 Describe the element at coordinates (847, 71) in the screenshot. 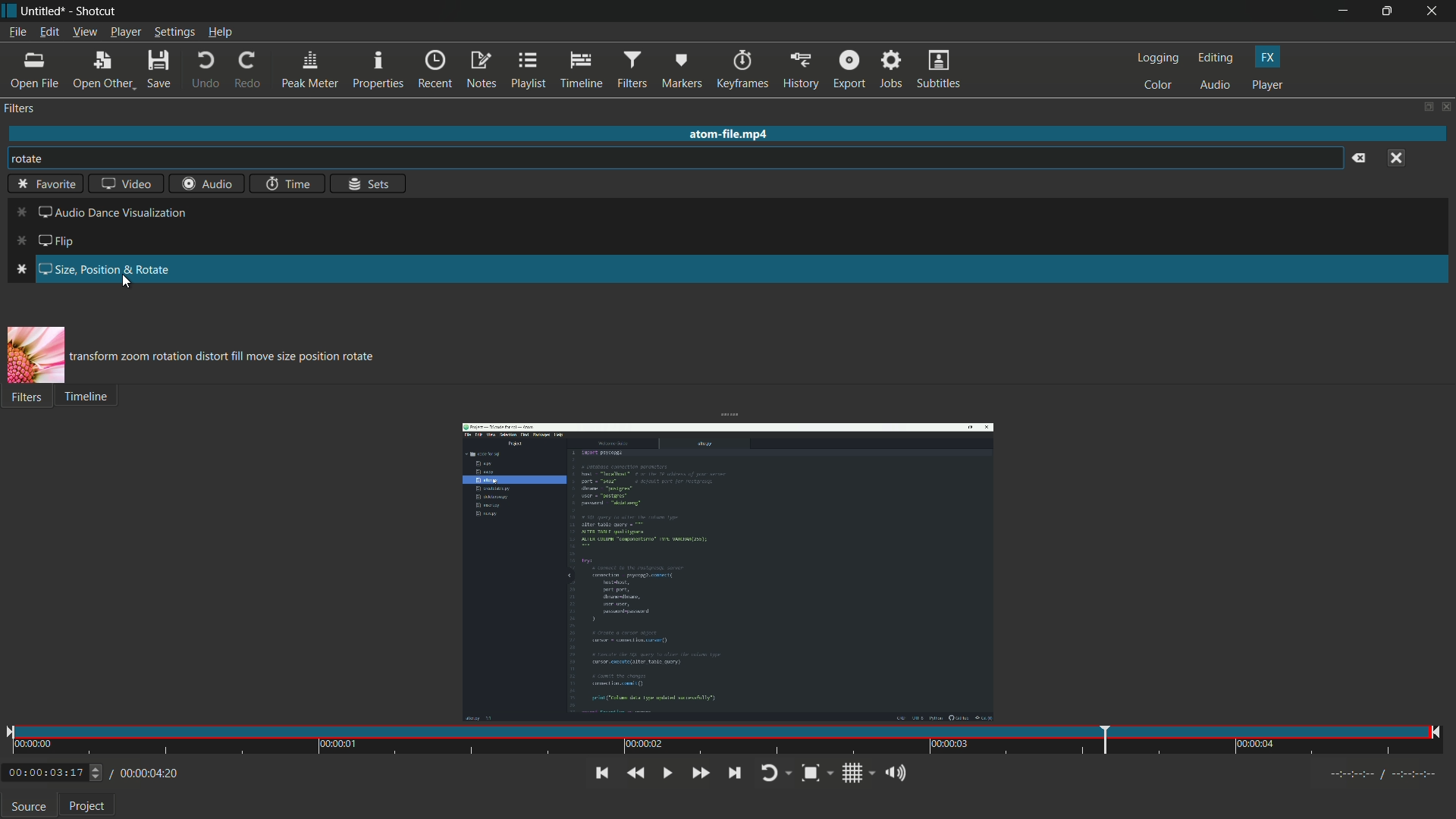

I see `export` at that location.